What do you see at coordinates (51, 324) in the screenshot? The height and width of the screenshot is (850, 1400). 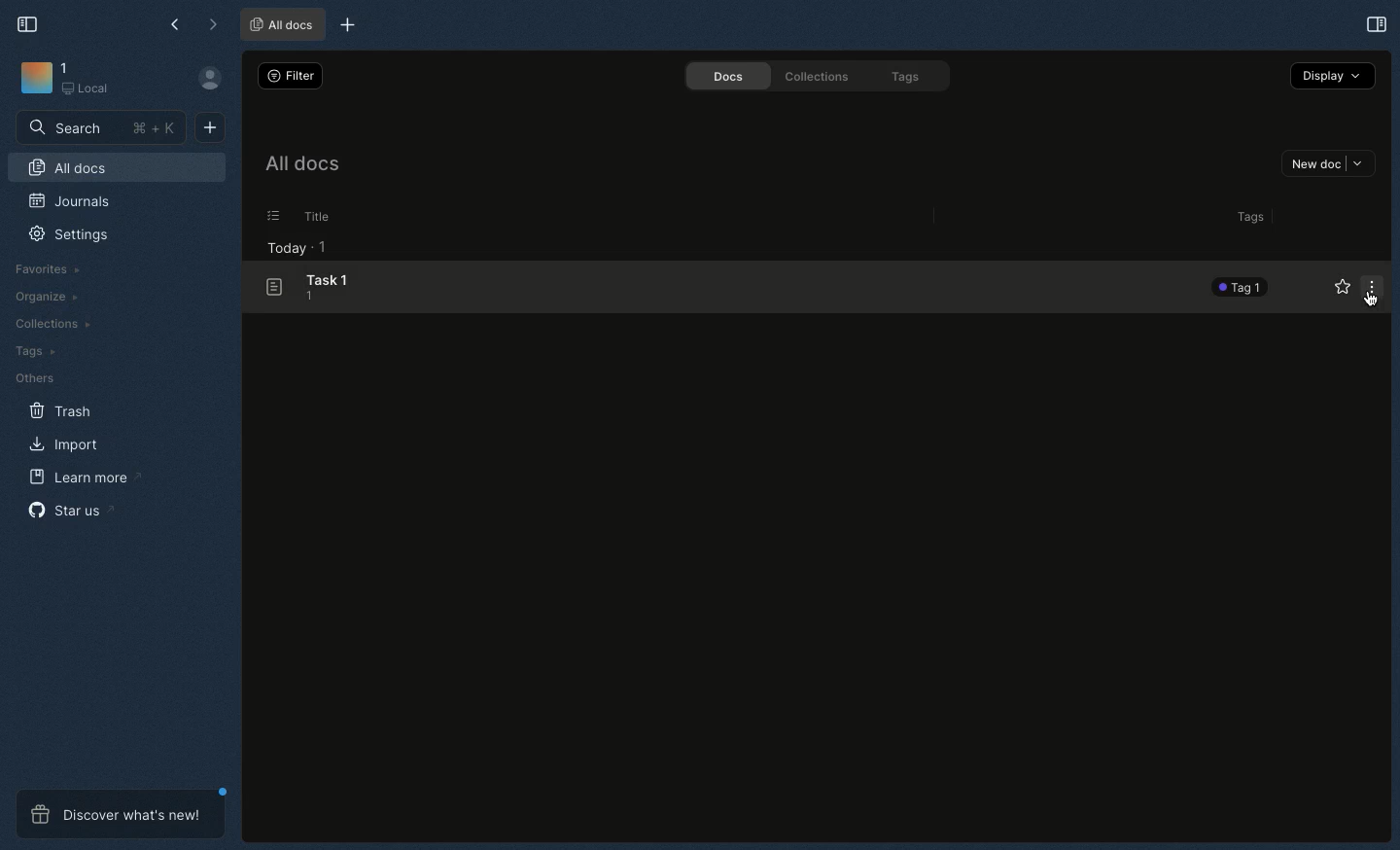 I see `Collections` at bounding box center [51, 324].